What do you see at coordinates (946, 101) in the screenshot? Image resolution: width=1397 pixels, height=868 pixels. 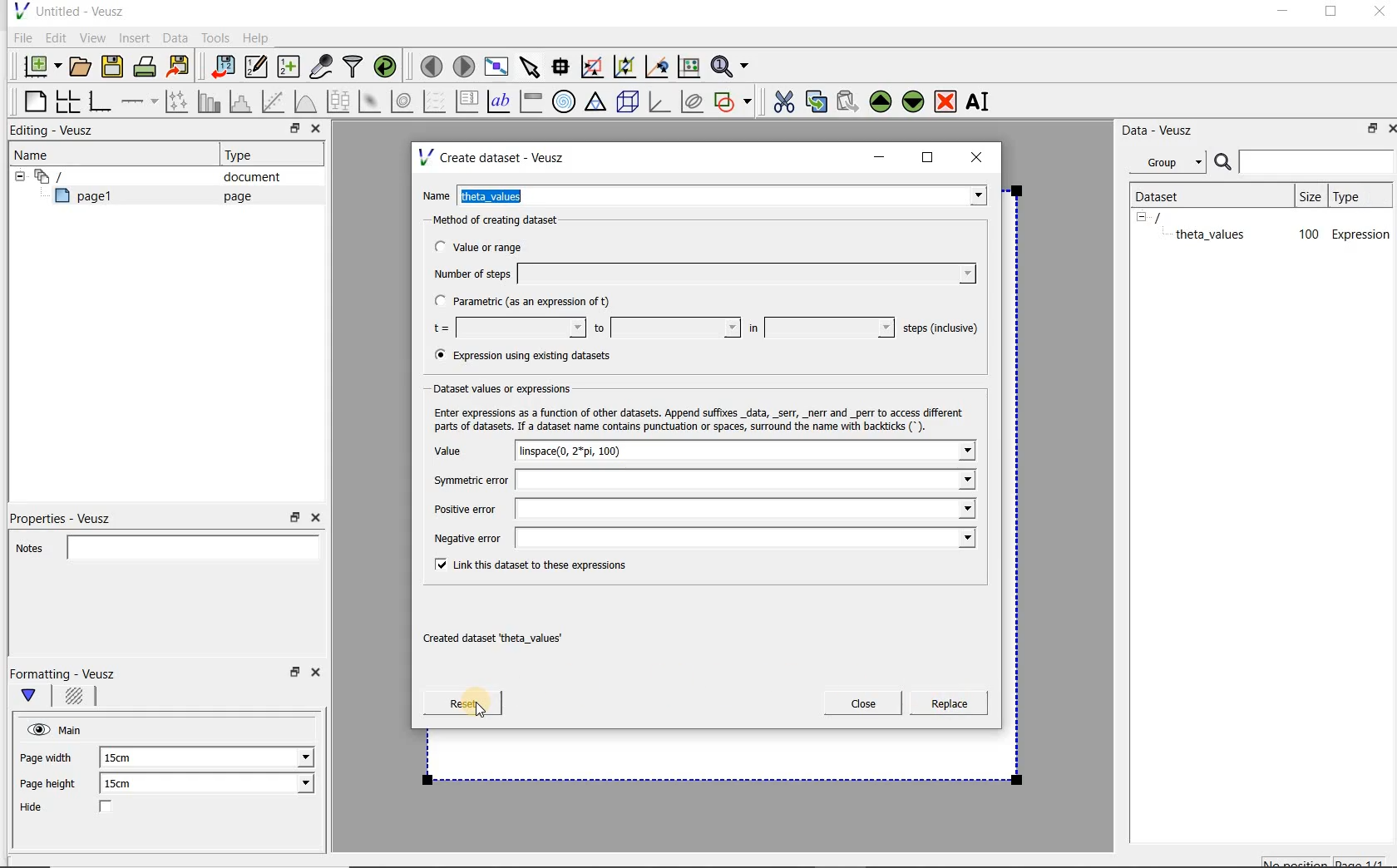 I see `remove the selected widget` at bounding box center [946, 101].